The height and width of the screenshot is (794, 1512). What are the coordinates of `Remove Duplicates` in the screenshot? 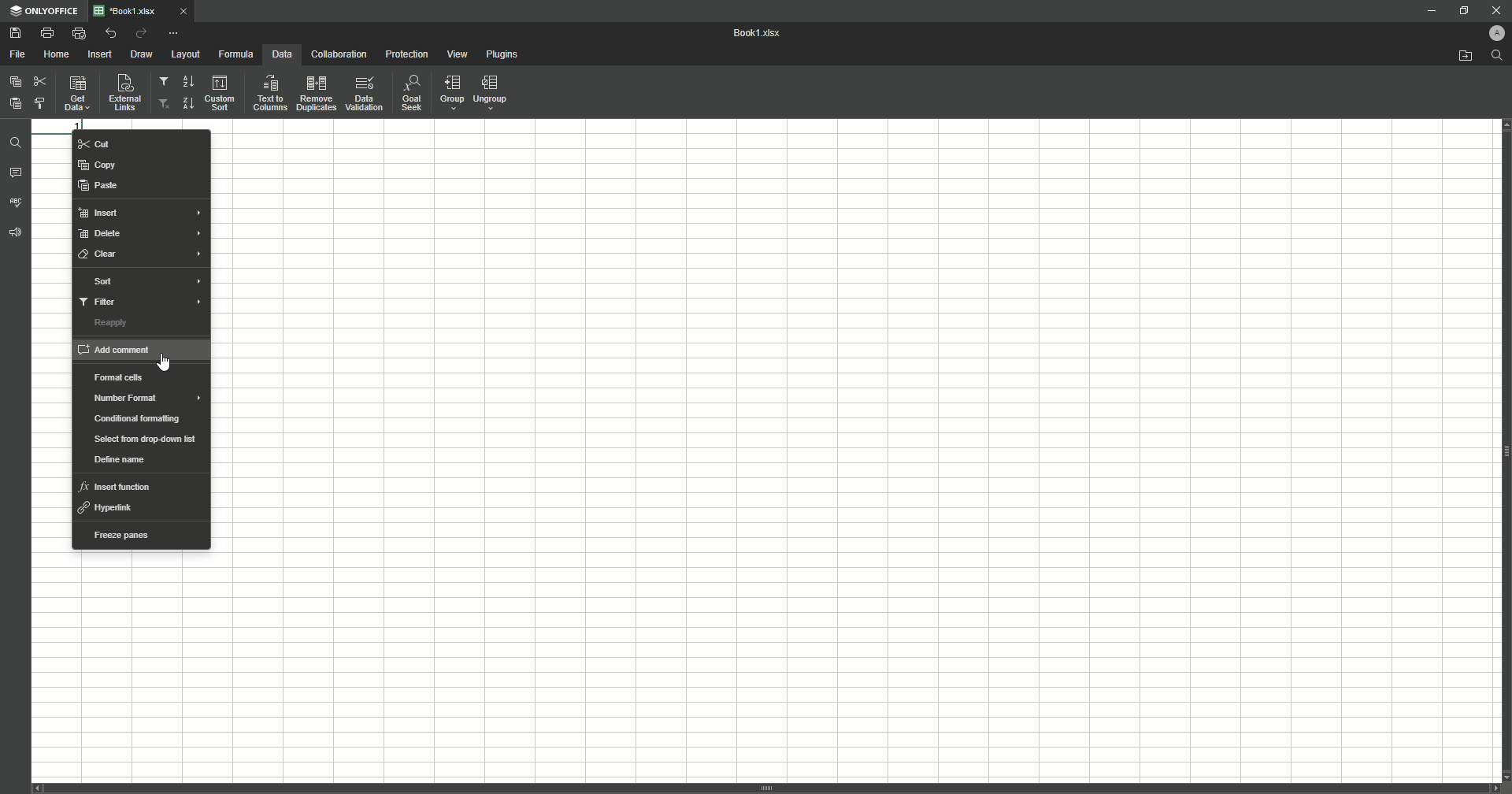 It's located at (316, 93).